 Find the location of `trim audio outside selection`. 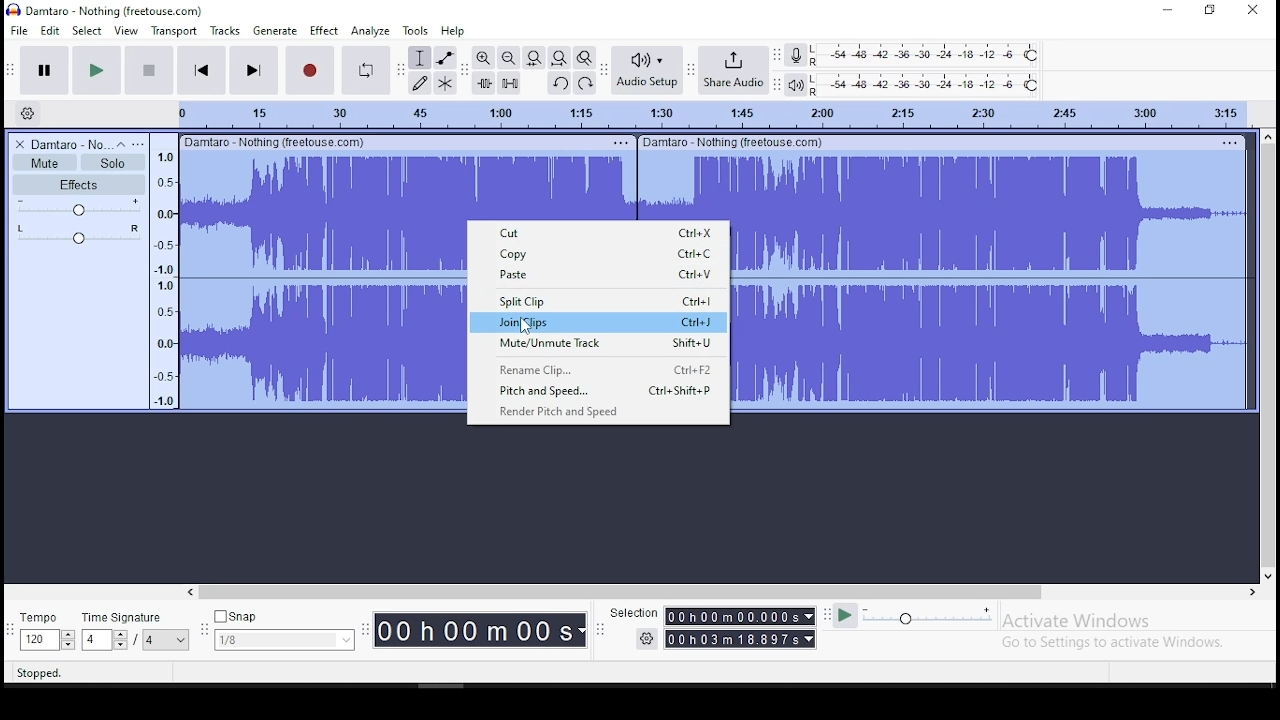

trim audio outside selection is located at coordinates (484, 83).